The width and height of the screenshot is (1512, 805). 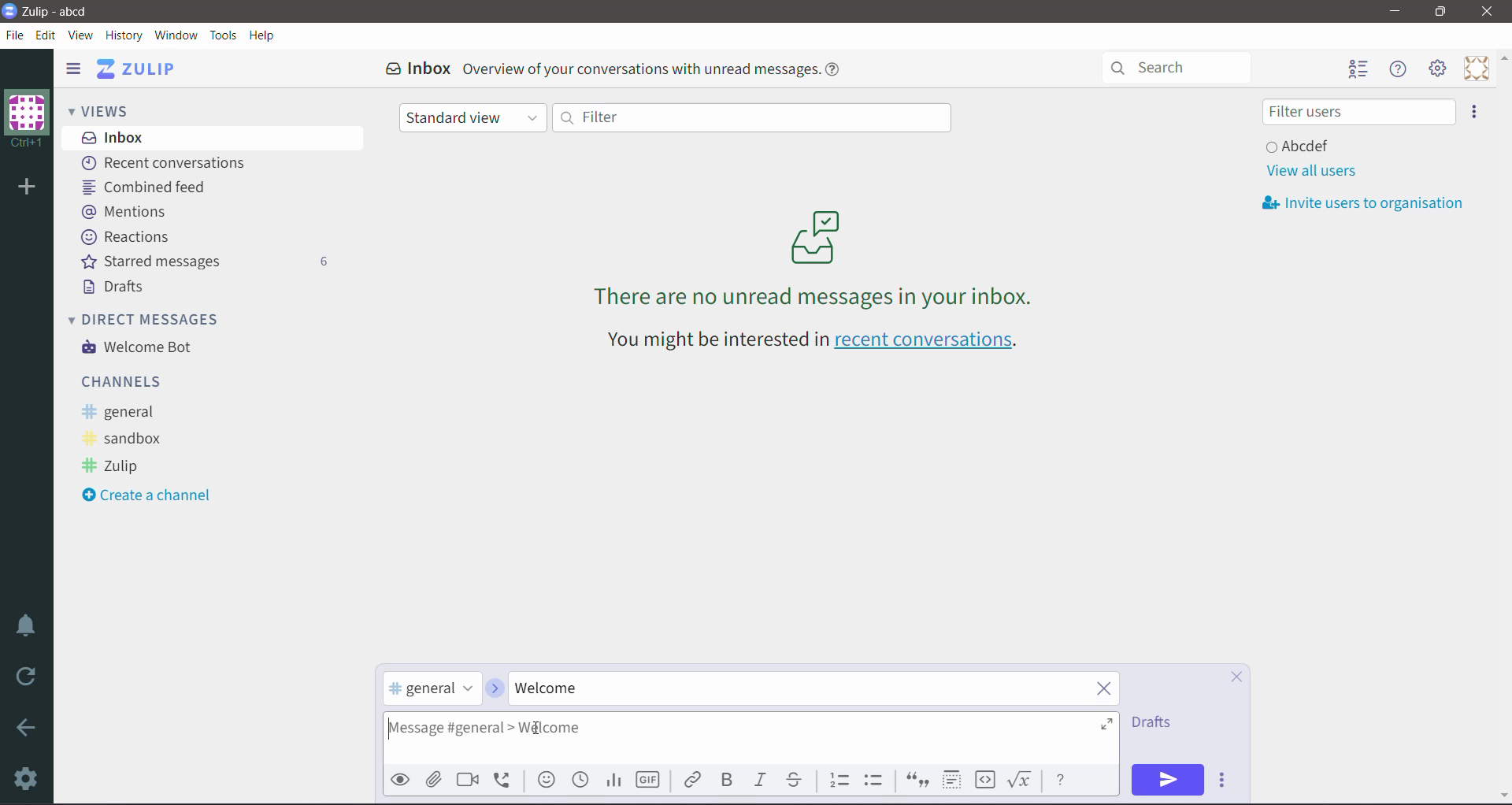 What do you see at coordinates (1022, 780) in the screenshot?
I see `Math` at bounding box center [1022, 780].